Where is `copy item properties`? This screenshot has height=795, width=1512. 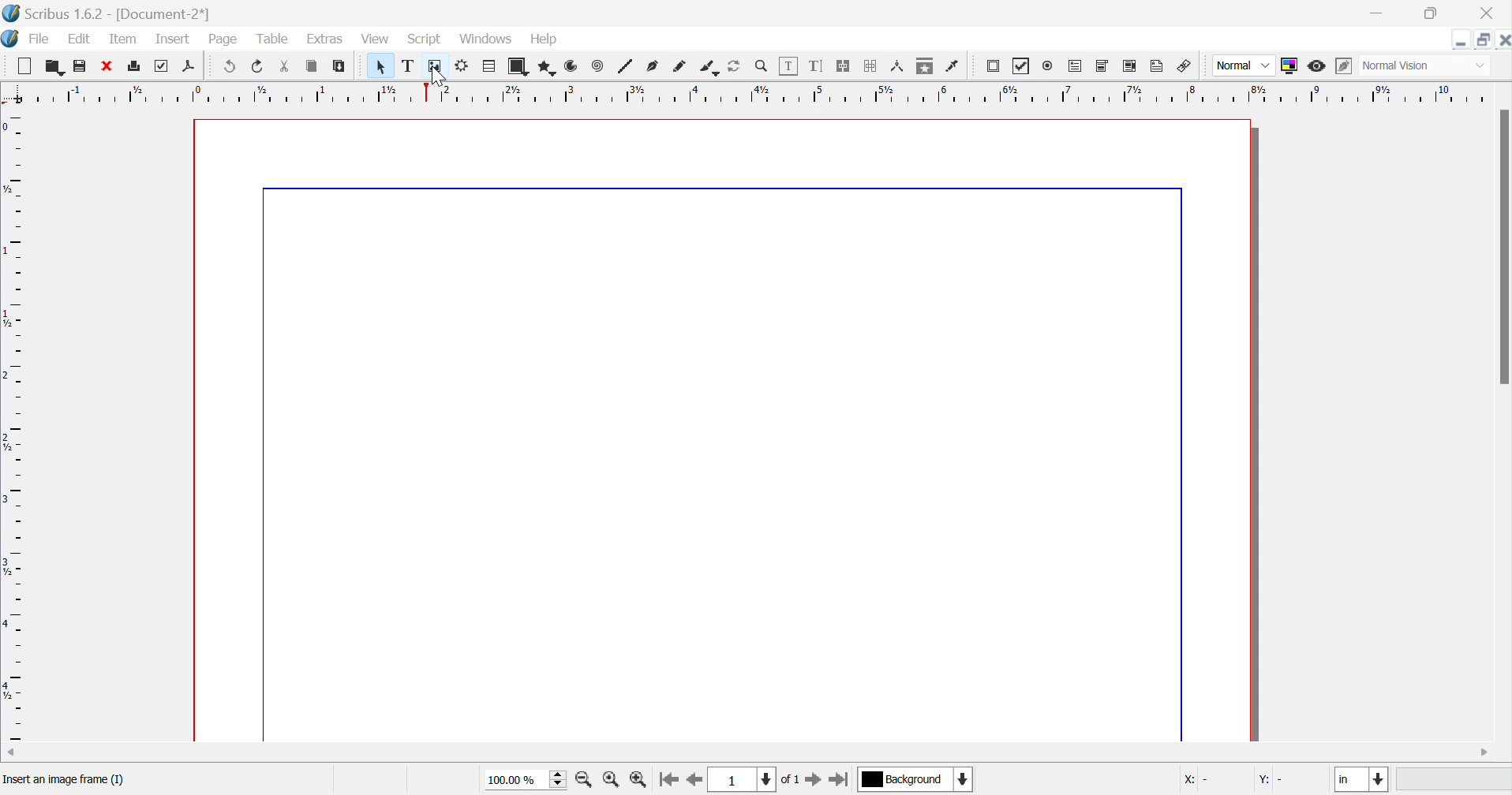
copy item properties is located at coordinates (924, 65).